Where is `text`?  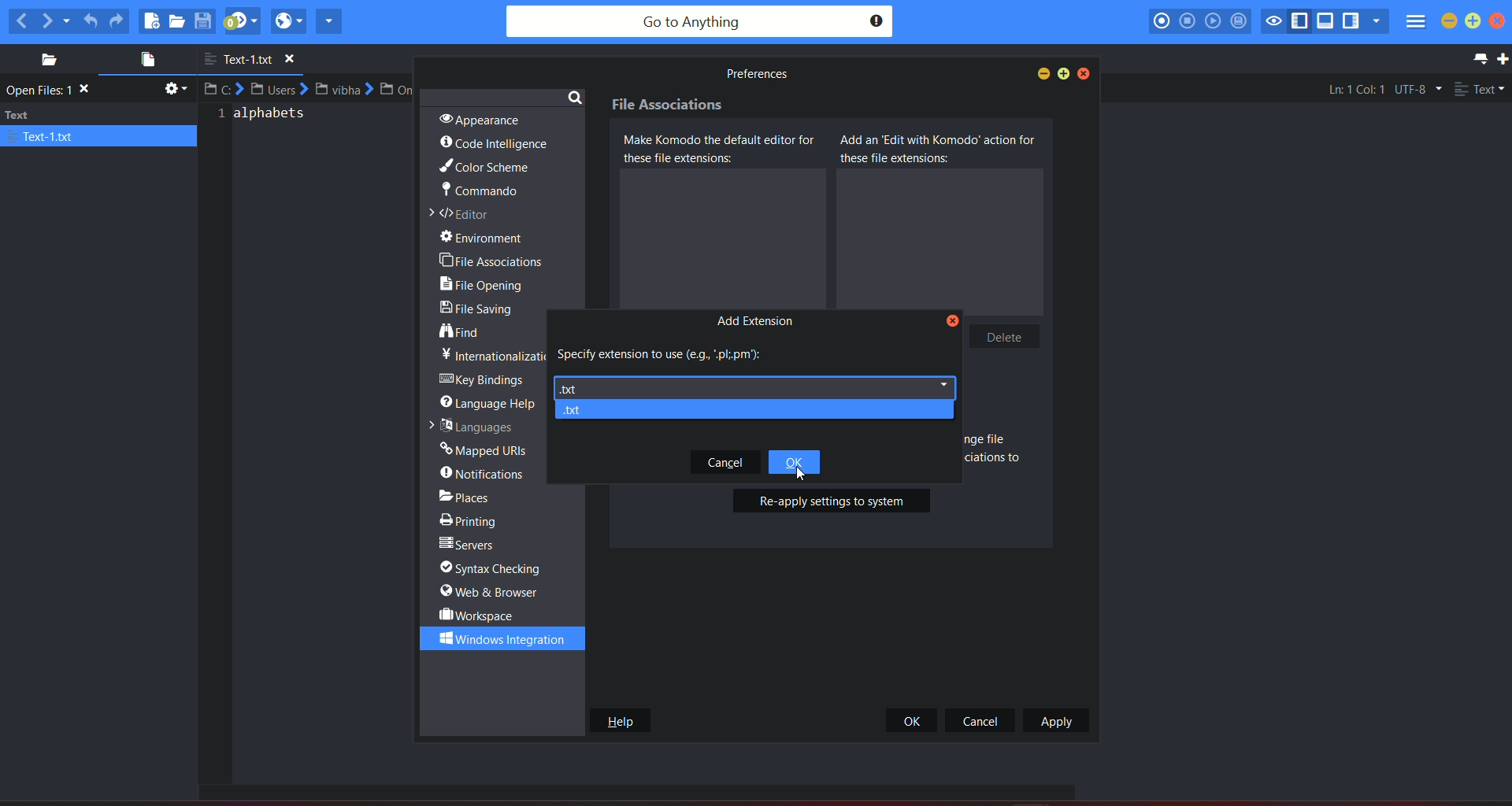 text is located at coordinates (488, 354).